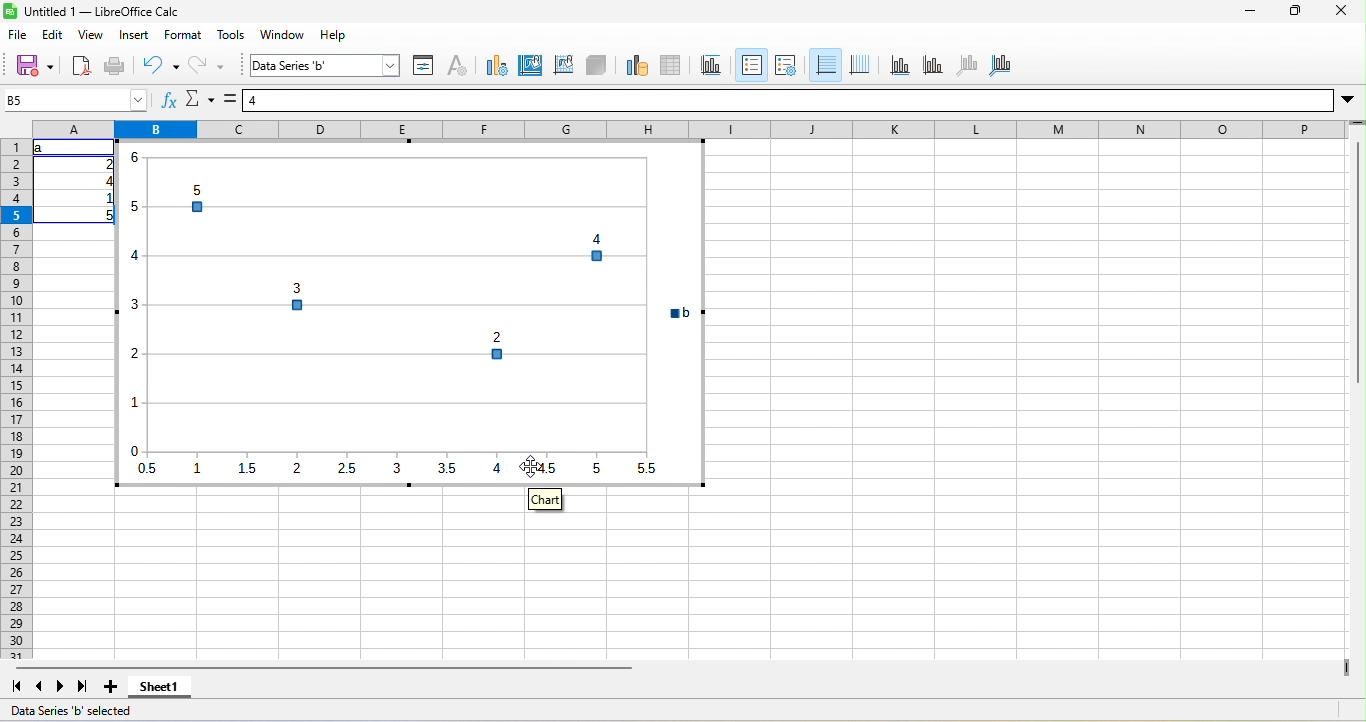 This screenshot has width=1366, height=722. I want to click on all axes, so click(1000, 67).